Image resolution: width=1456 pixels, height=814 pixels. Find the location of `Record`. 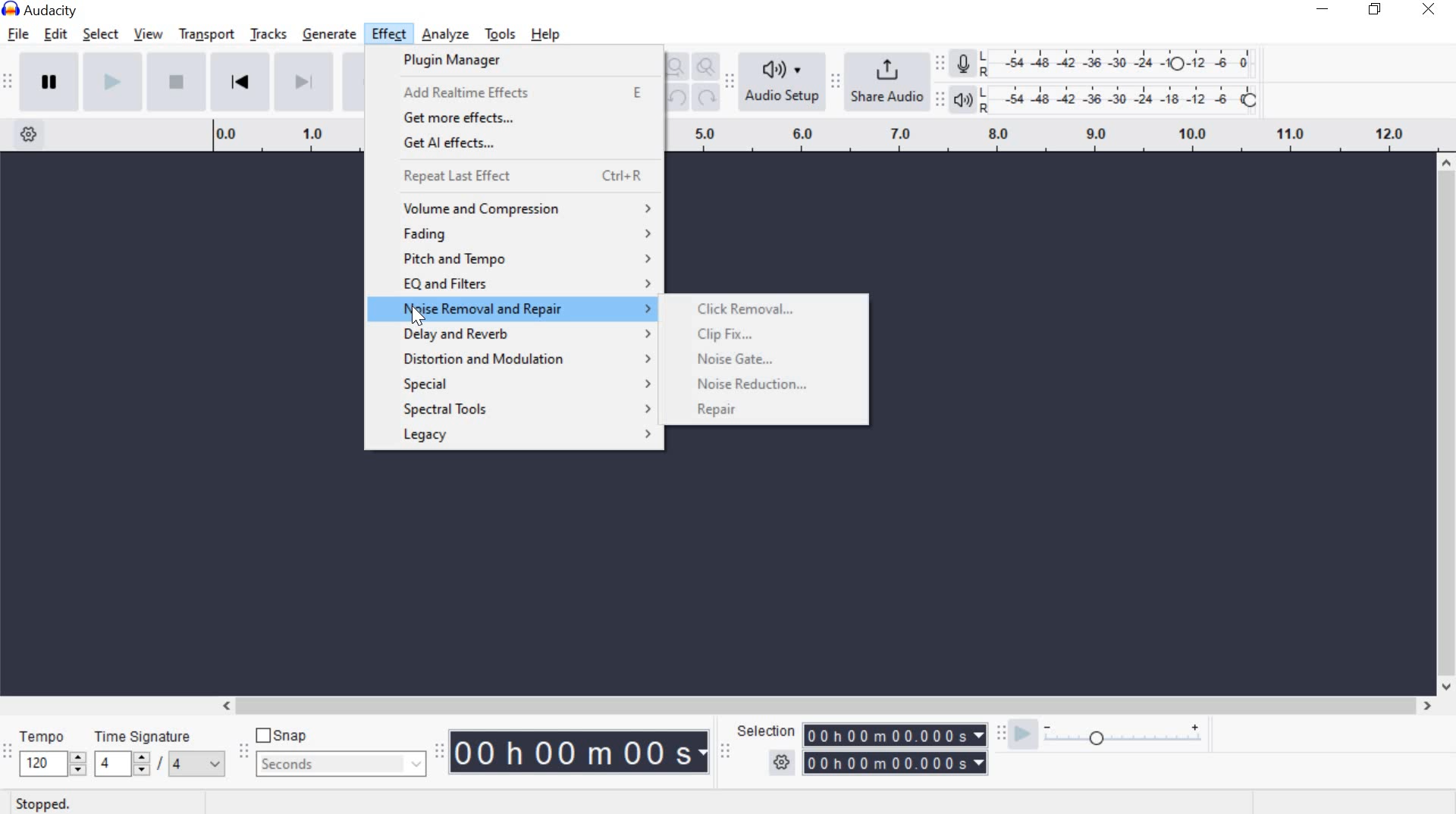

Record is located at coordinates (369, 83).